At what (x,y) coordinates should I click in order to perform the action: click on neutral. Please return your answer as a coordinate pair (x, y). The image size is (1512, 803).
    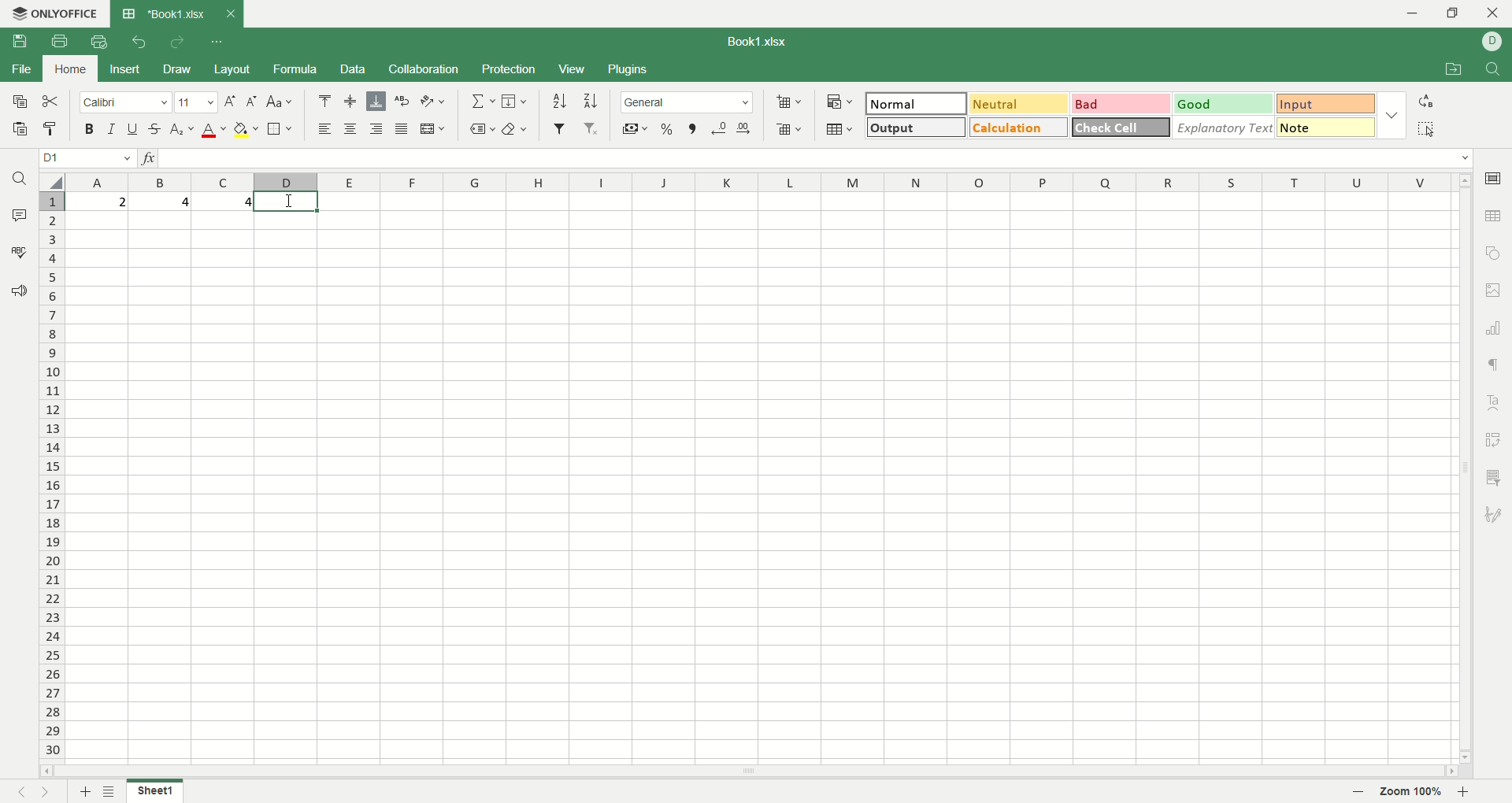
    Looking at the image, I should click on (1021, 103).